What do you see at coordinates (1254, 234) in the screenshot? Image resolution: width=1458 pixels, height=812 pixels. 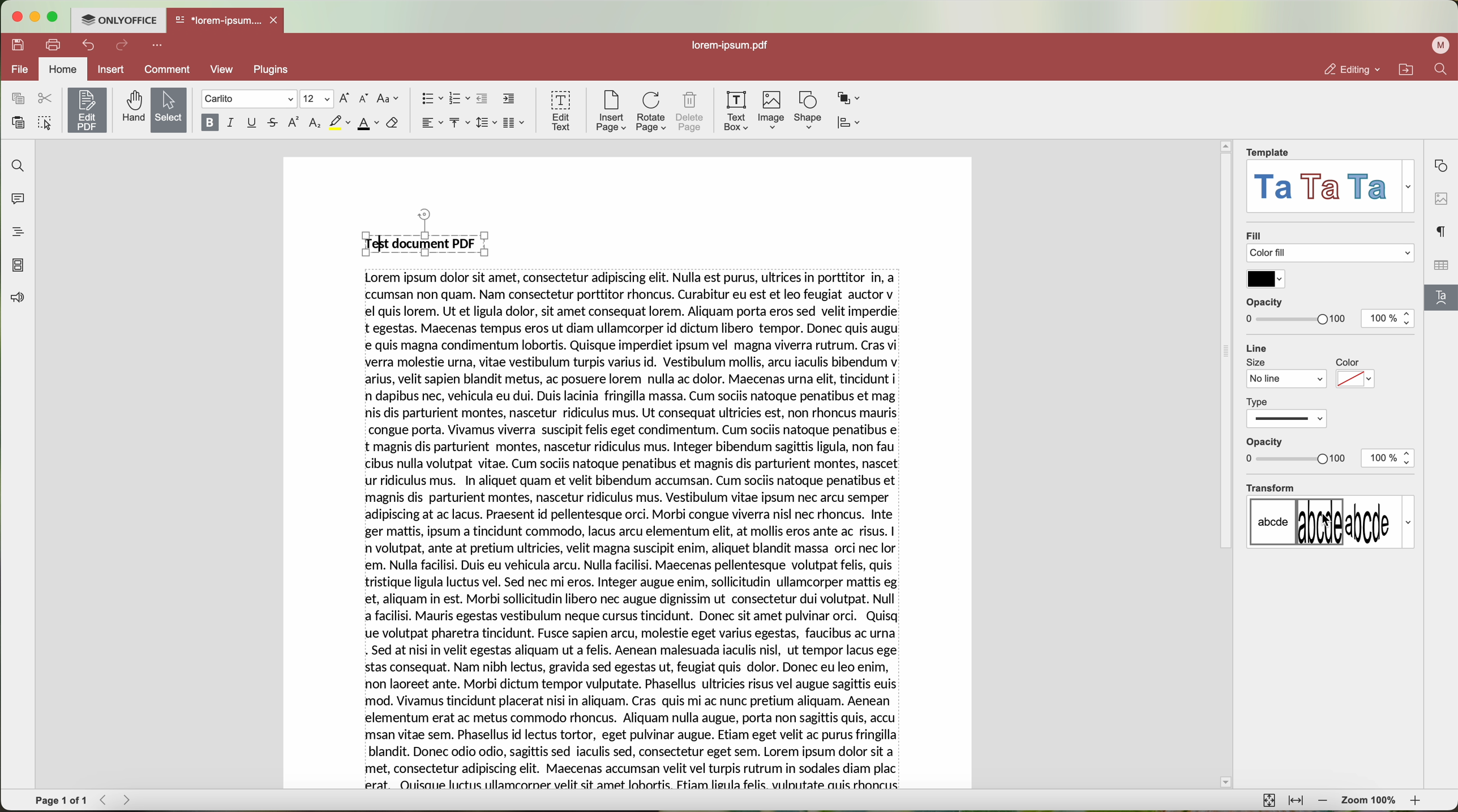 I see `fill` at bounding box center [1254, 234].